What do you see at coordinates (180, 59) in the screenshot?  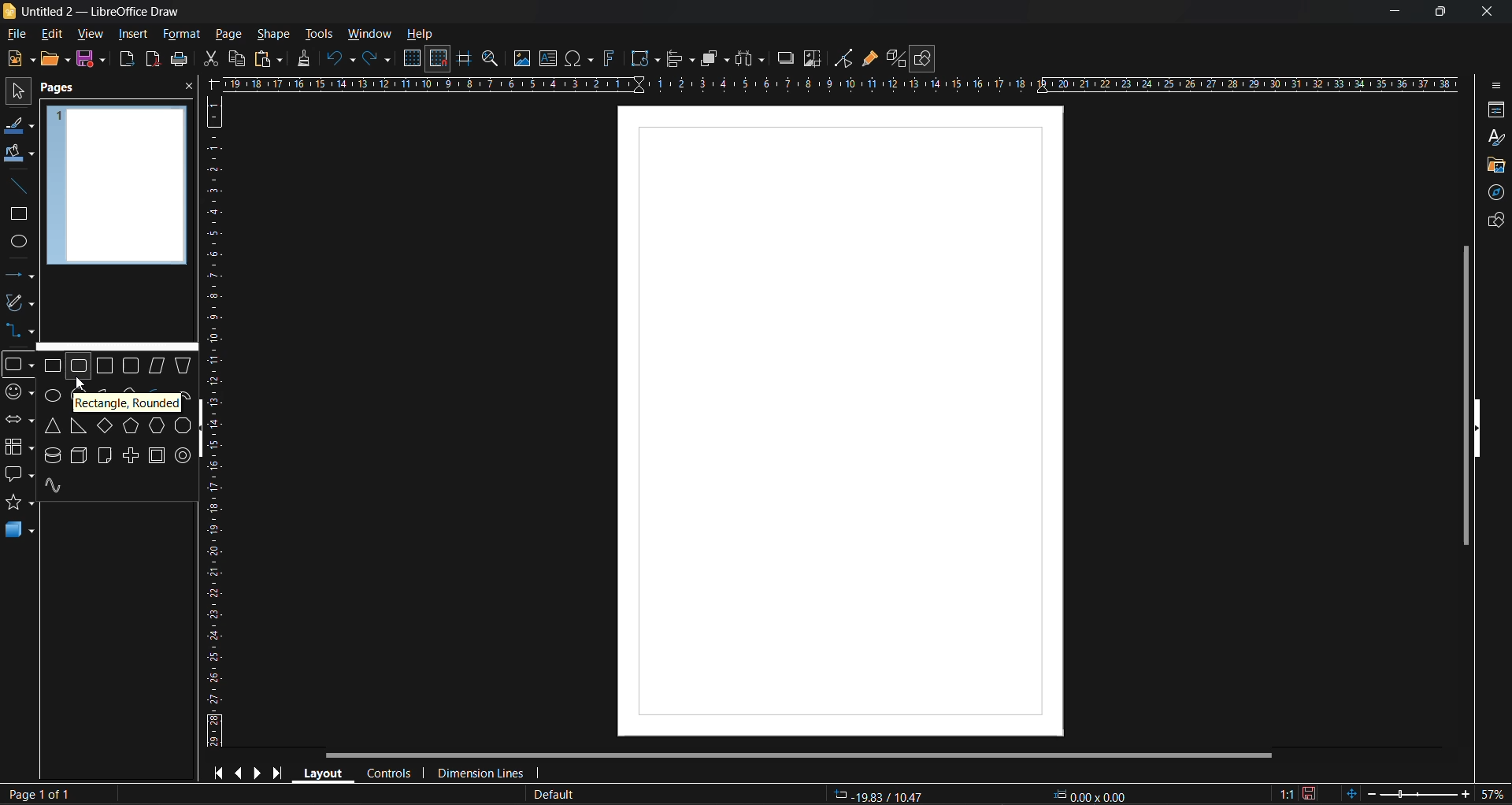 I see `save` at bounding box center [180, 59].